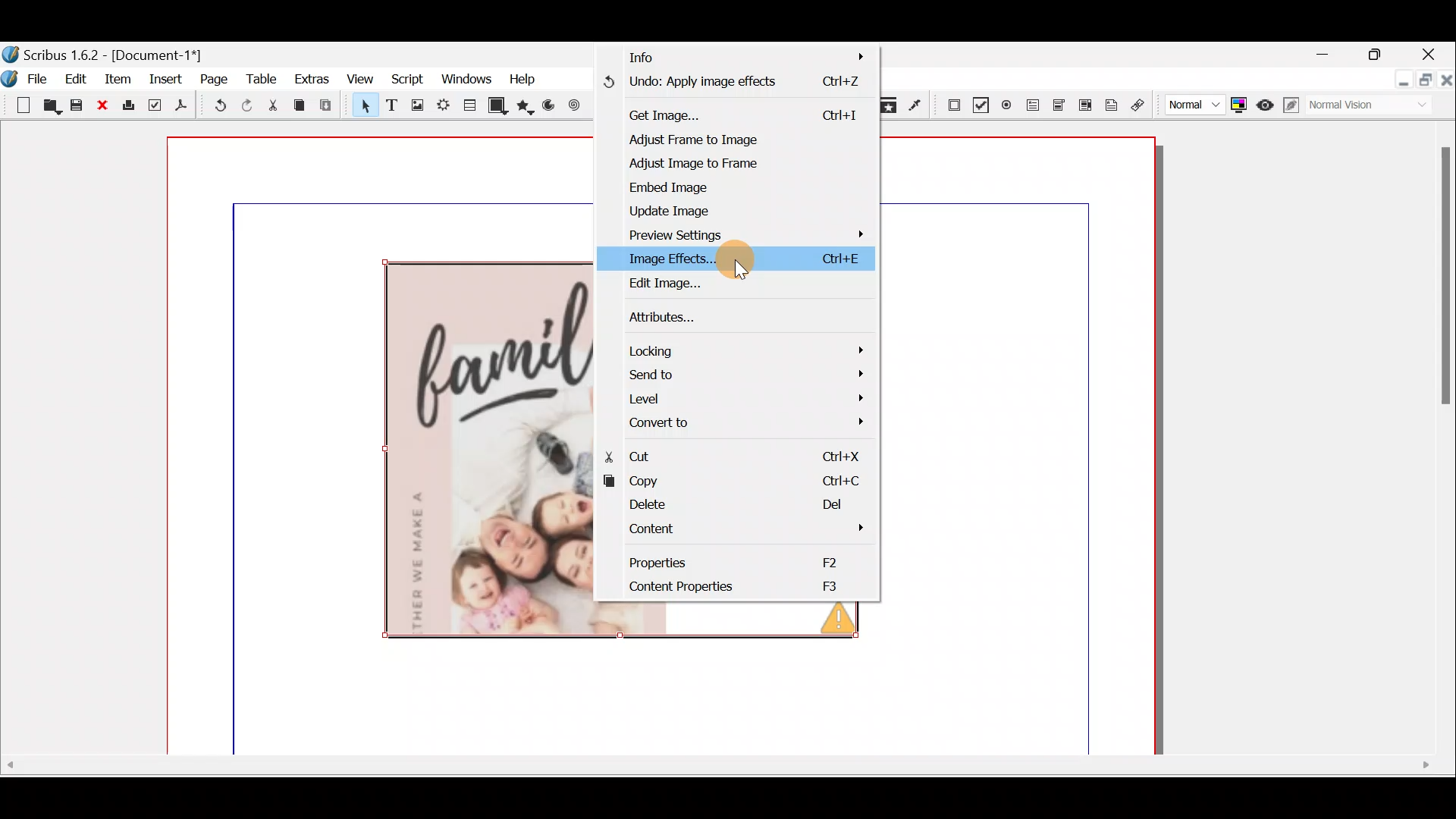 The image size is (1456, 819). I want to click on Save as PDF, so click(183, 107).